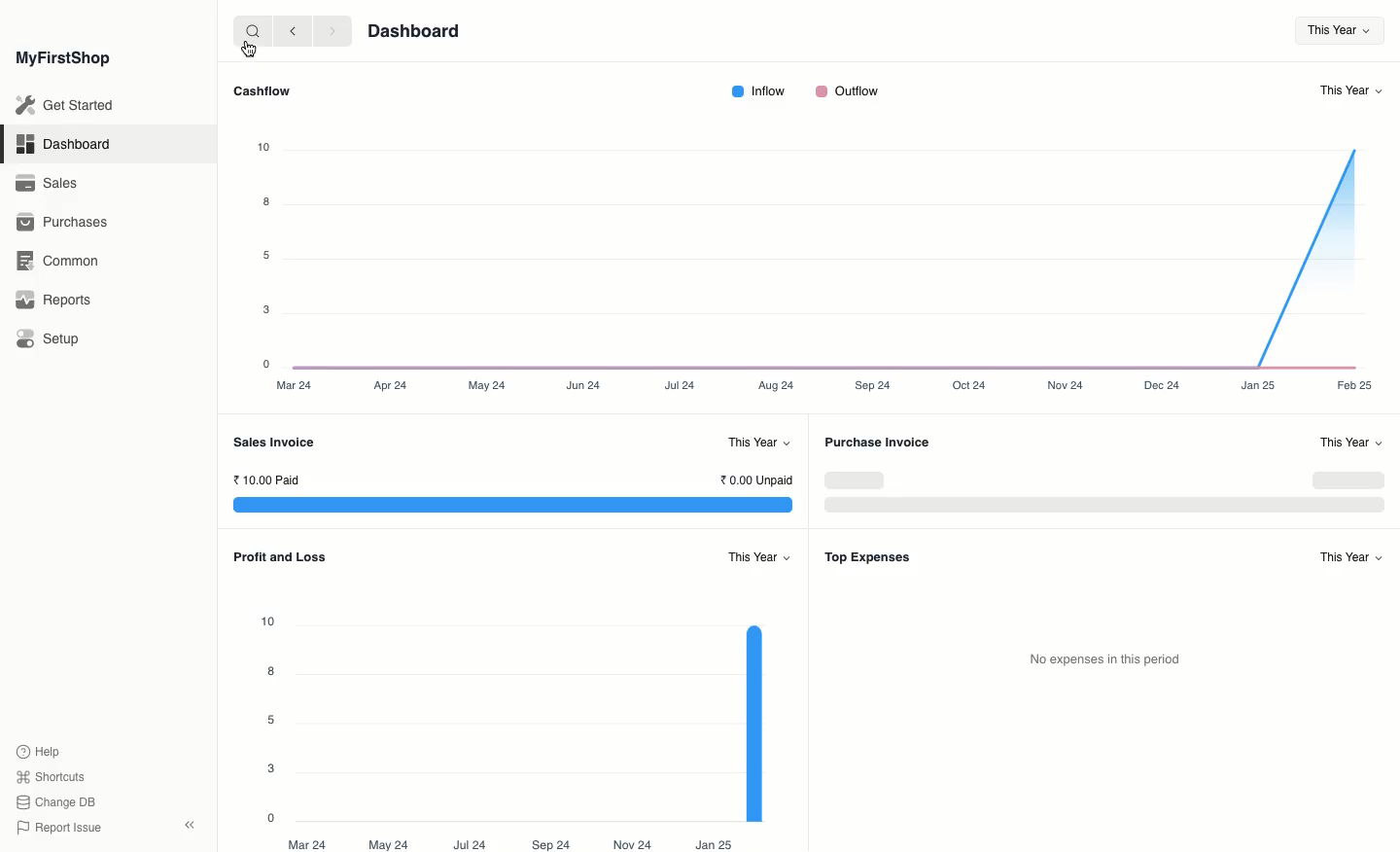 Image resolution: width=1400 pixels, height=852 pixels. Describe the element at coordinates (56, 803) in the screenshot. I see `Change DB` at that location.